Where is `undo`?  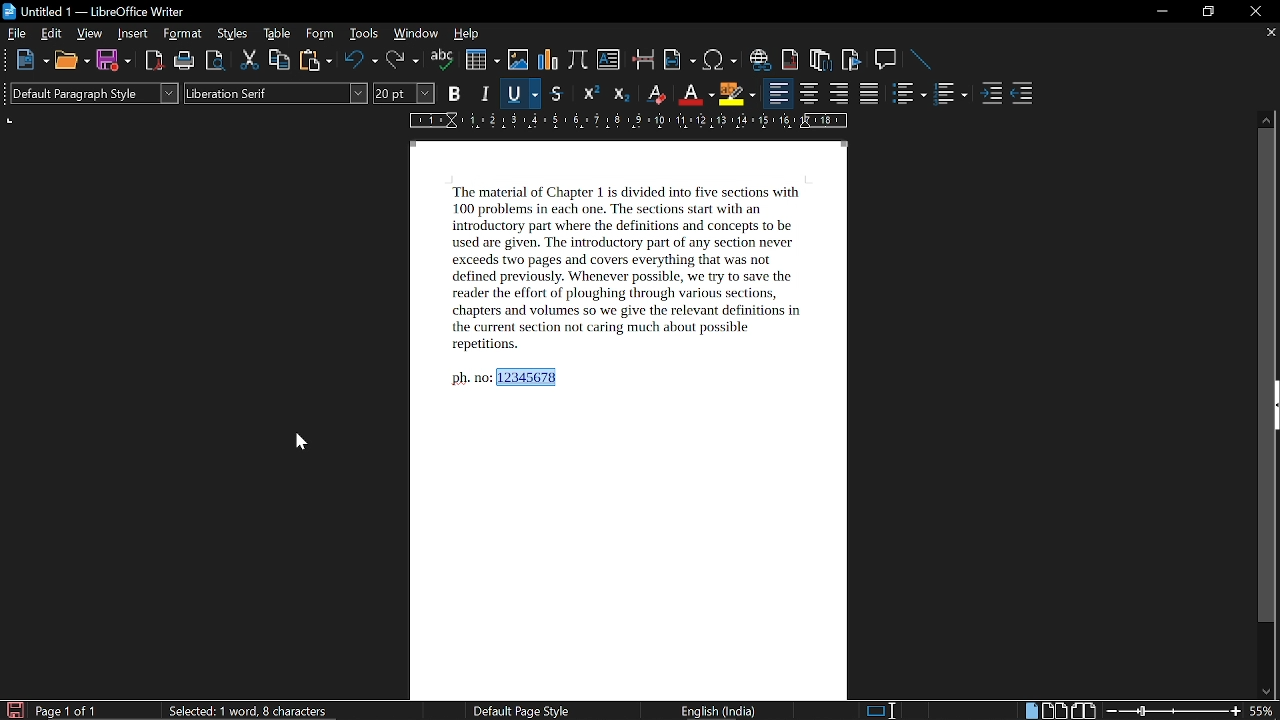 undo is located at coordinates (359, 62).